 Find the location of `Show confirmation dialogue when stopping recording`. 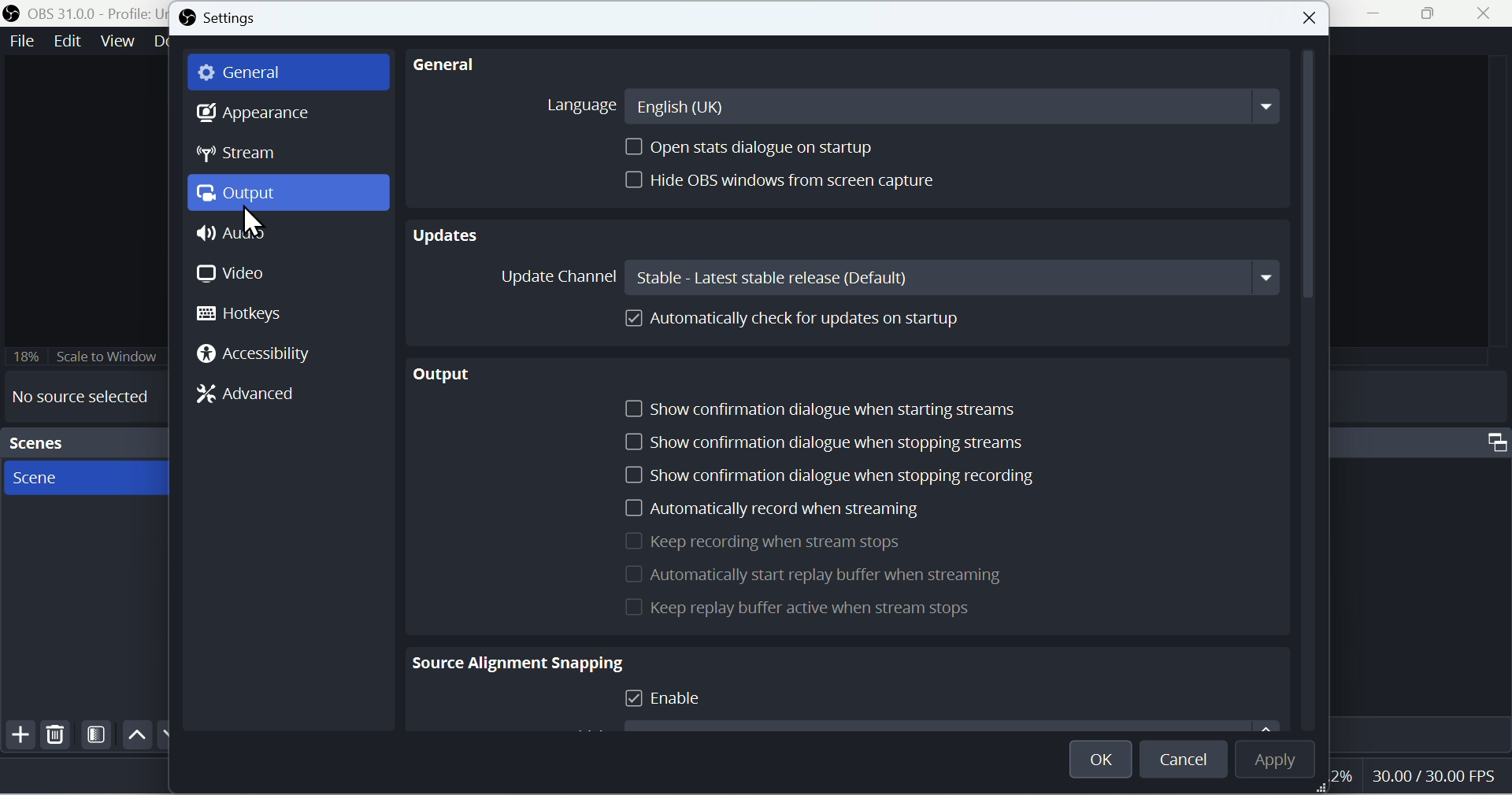

Show confirmation dialogue when stopping recording is located at coordinates (828, 475).